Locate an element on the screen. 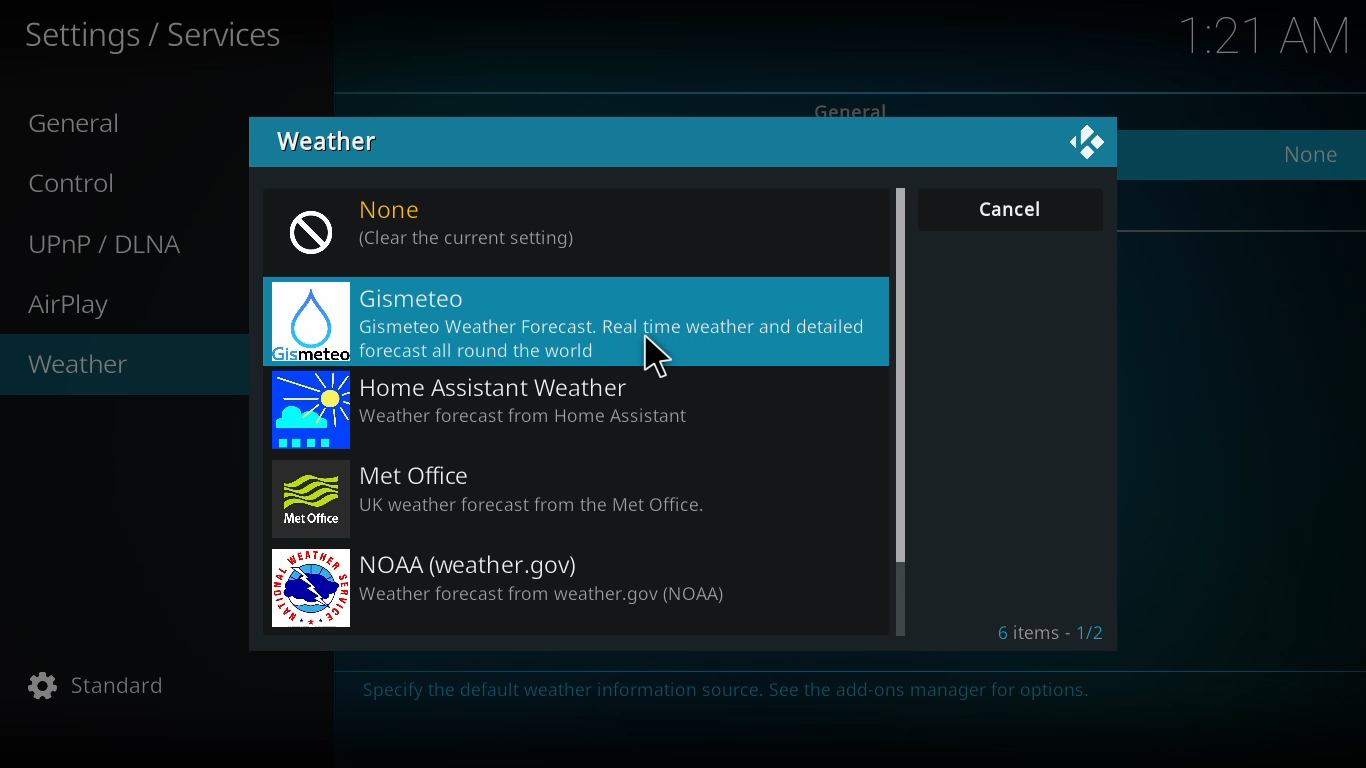 The height and width of the screenshot is (768, 1366). upnp/dlna is located at coordinates (110, 244).